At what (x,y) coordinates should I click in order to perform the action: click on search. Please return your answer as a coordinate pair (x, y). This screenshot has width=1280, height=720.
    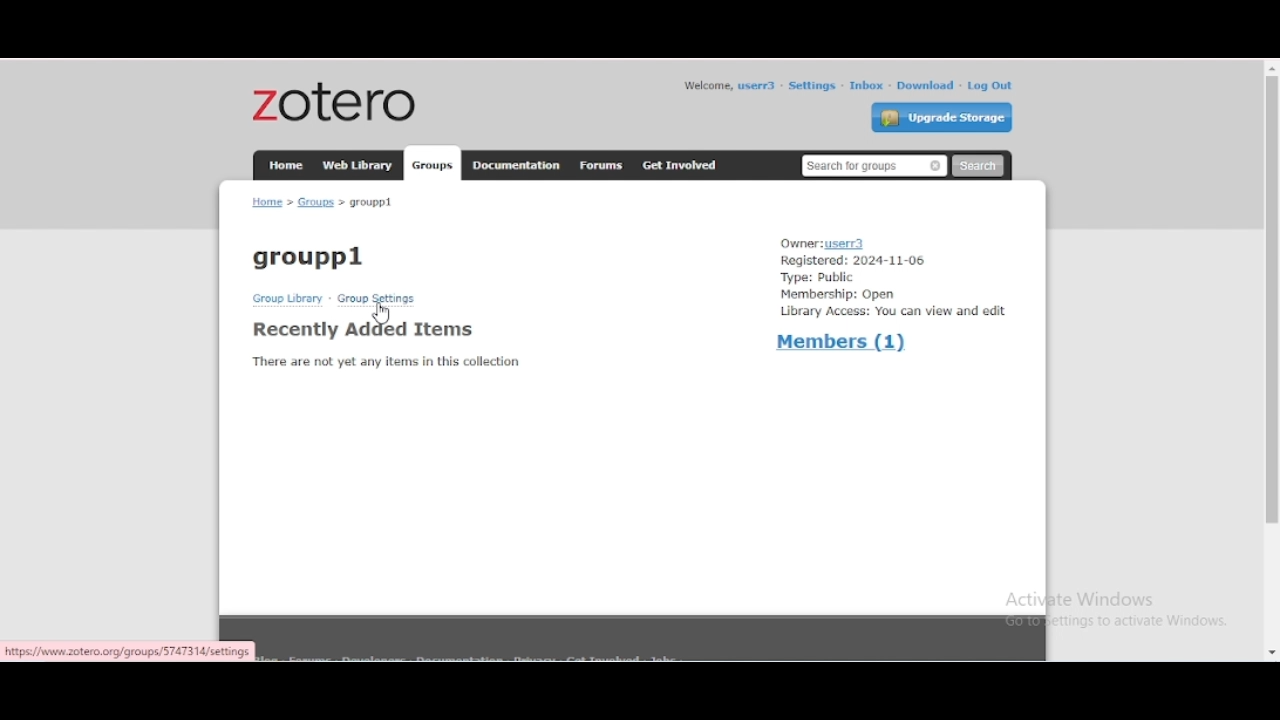
    Looking at the image, I should click on (978, 166).